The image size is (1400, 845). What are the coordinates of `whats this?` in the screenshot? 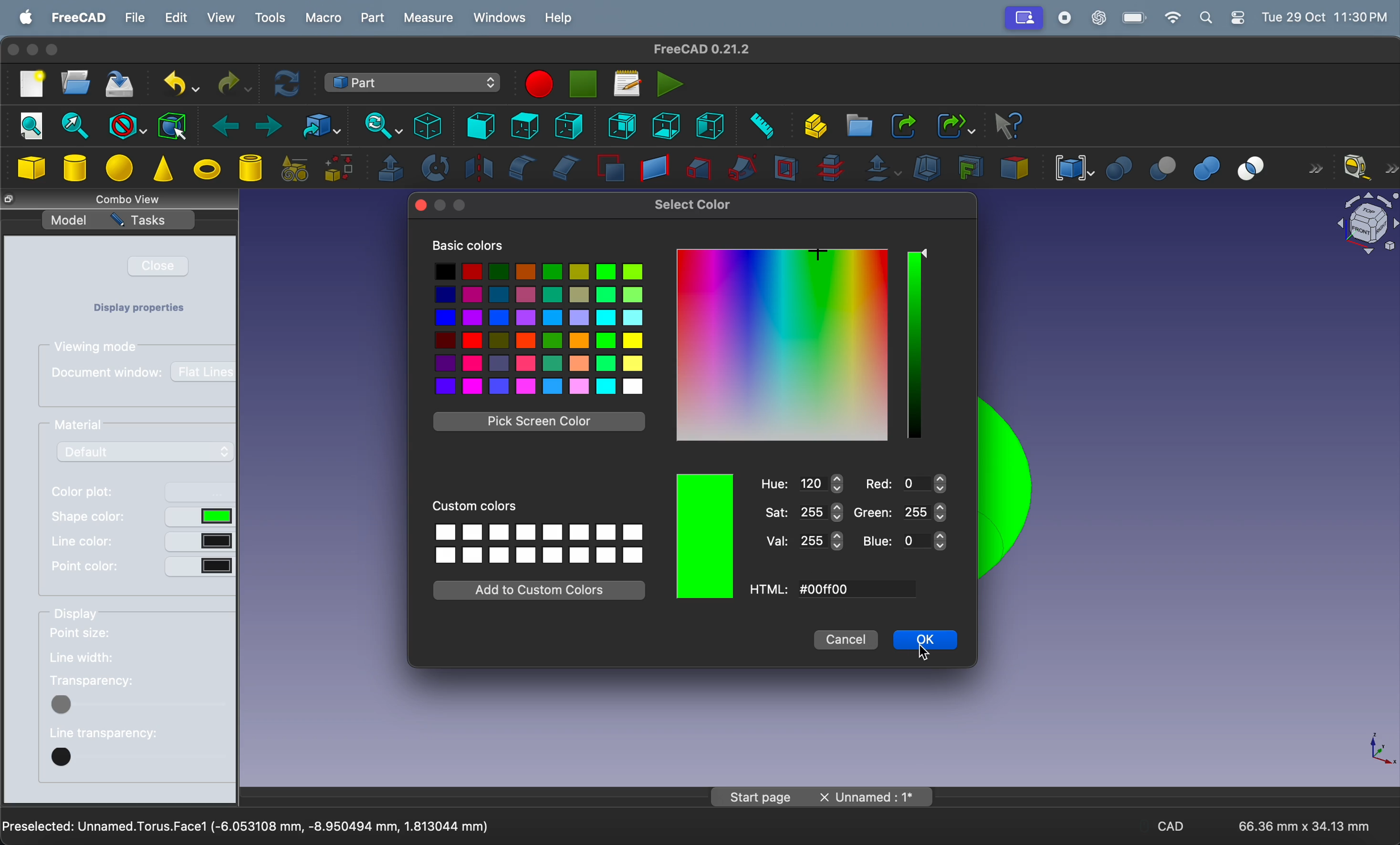 It's located at (1009, 126).